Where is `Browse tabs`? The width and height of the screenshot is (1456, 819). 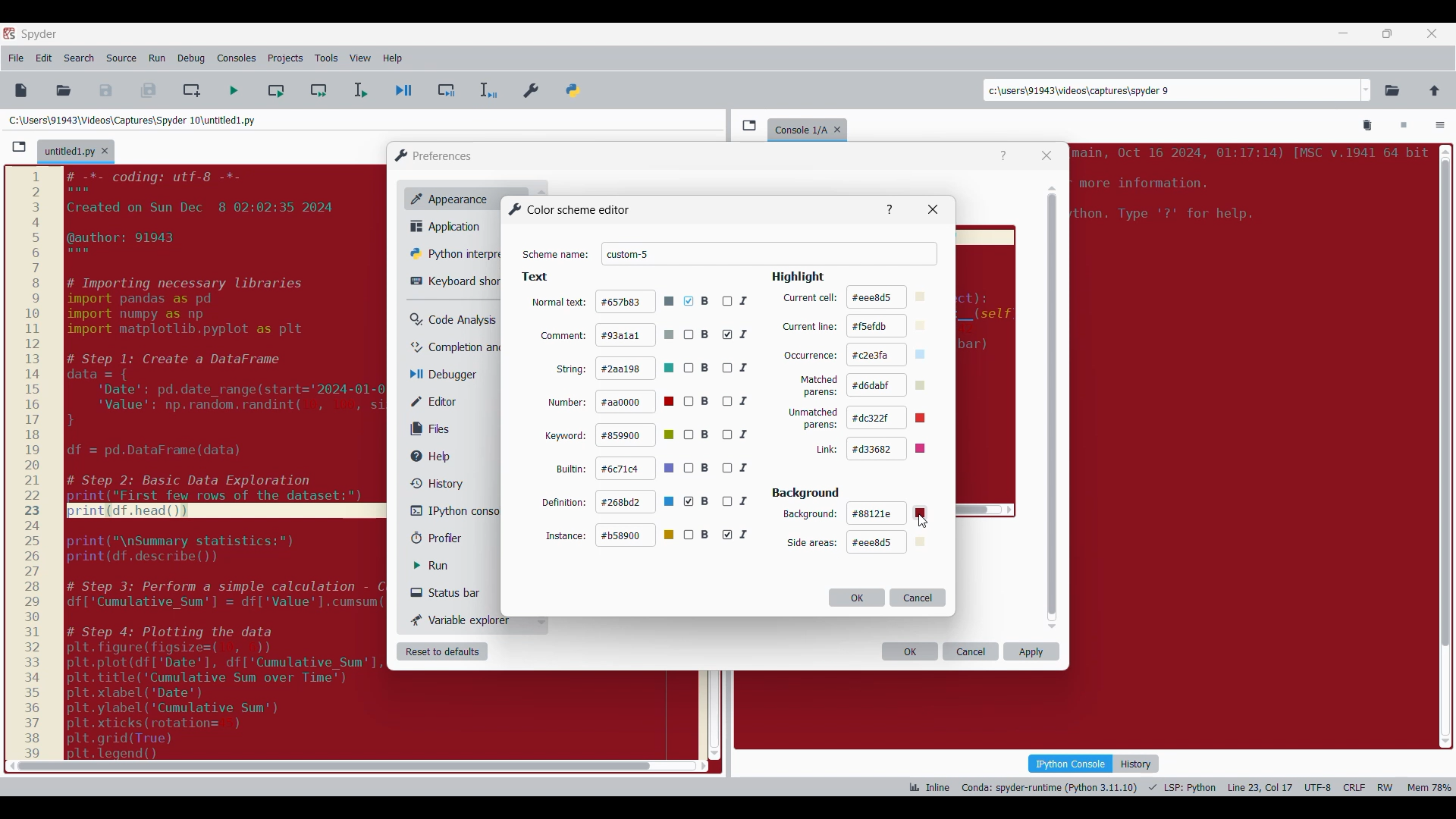
Browse tabs is located at coordinates (749, 125).